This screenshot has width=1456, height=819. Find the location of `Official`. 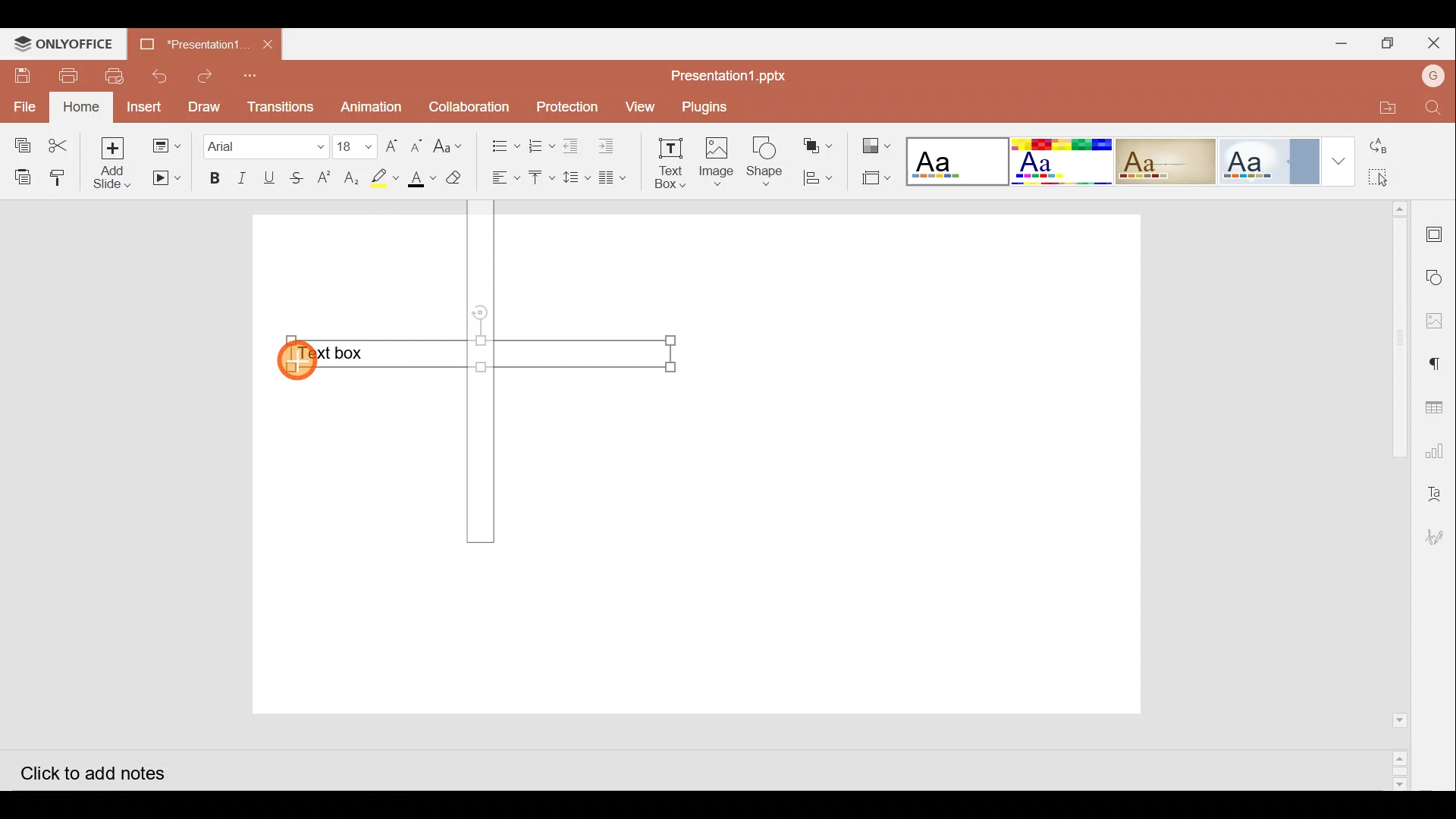

Official is located at coordinates (1269, 160).